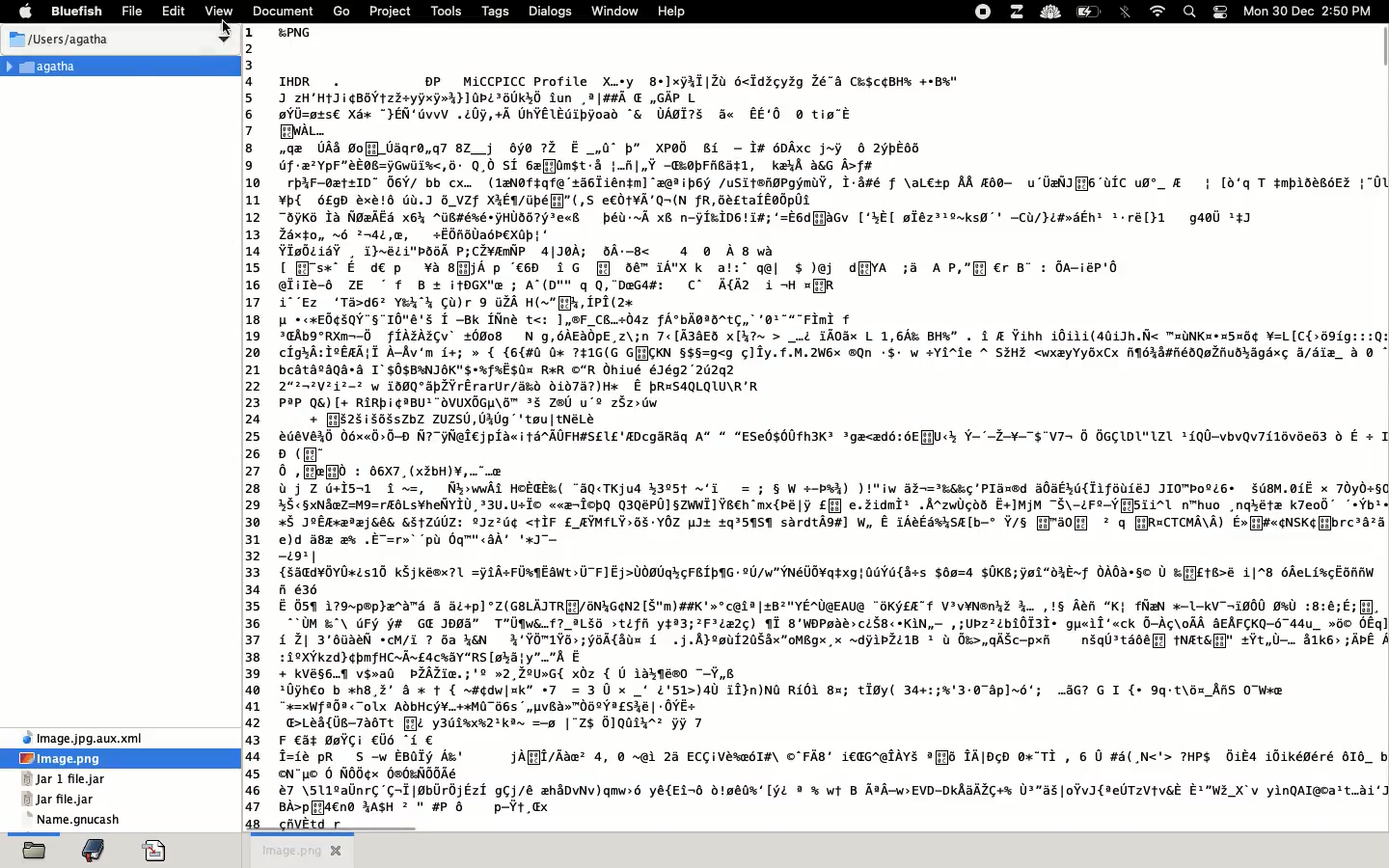 This screenshot has width=1389, height=868. Describe the element at coordinates (157, 849) in the screenshot. I see `code` at that location.